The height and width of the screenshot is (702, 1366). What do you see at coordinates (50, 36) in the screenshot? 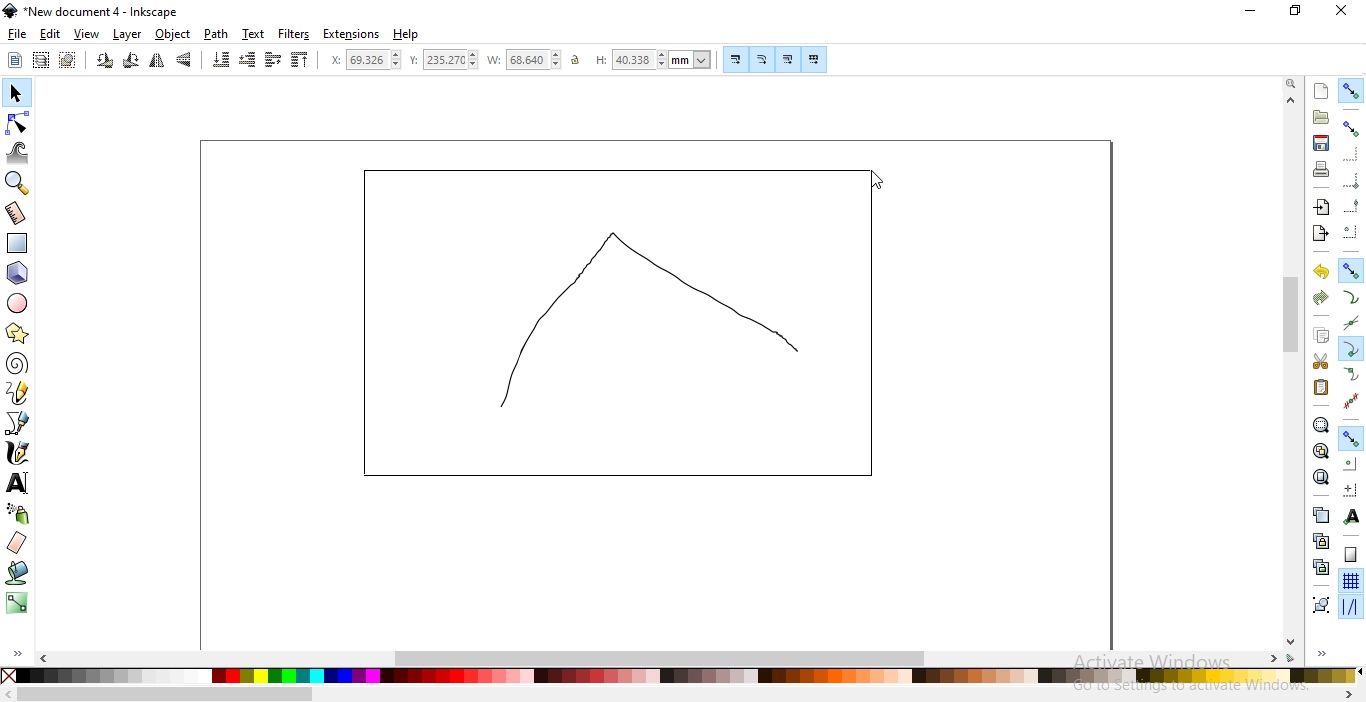
I see `edit` at bounding box center [50, 36].